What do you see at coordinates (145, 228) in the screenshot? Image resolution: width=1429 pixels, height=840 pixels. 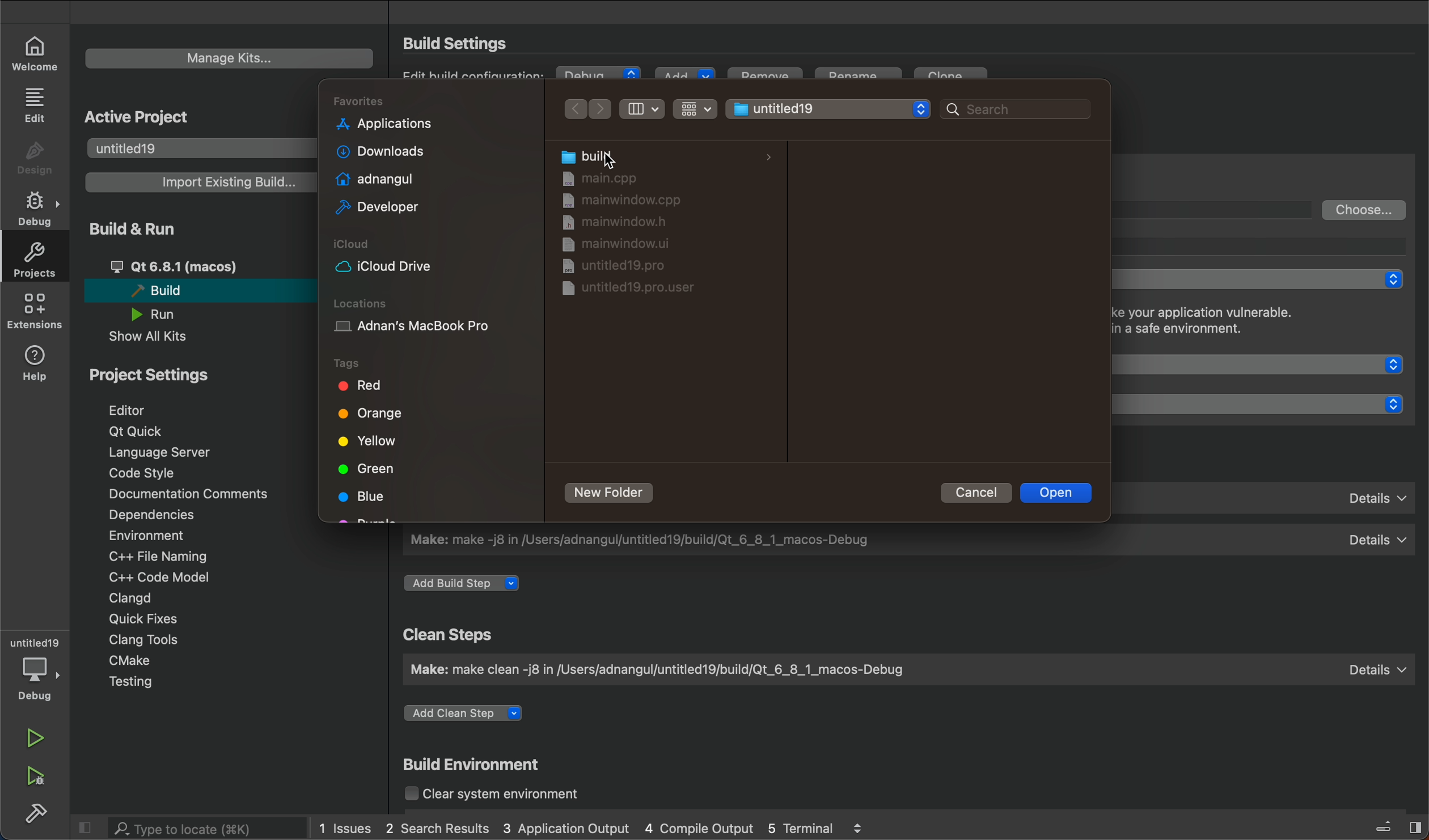 I see `build and run` at bounding box center [145, 228].